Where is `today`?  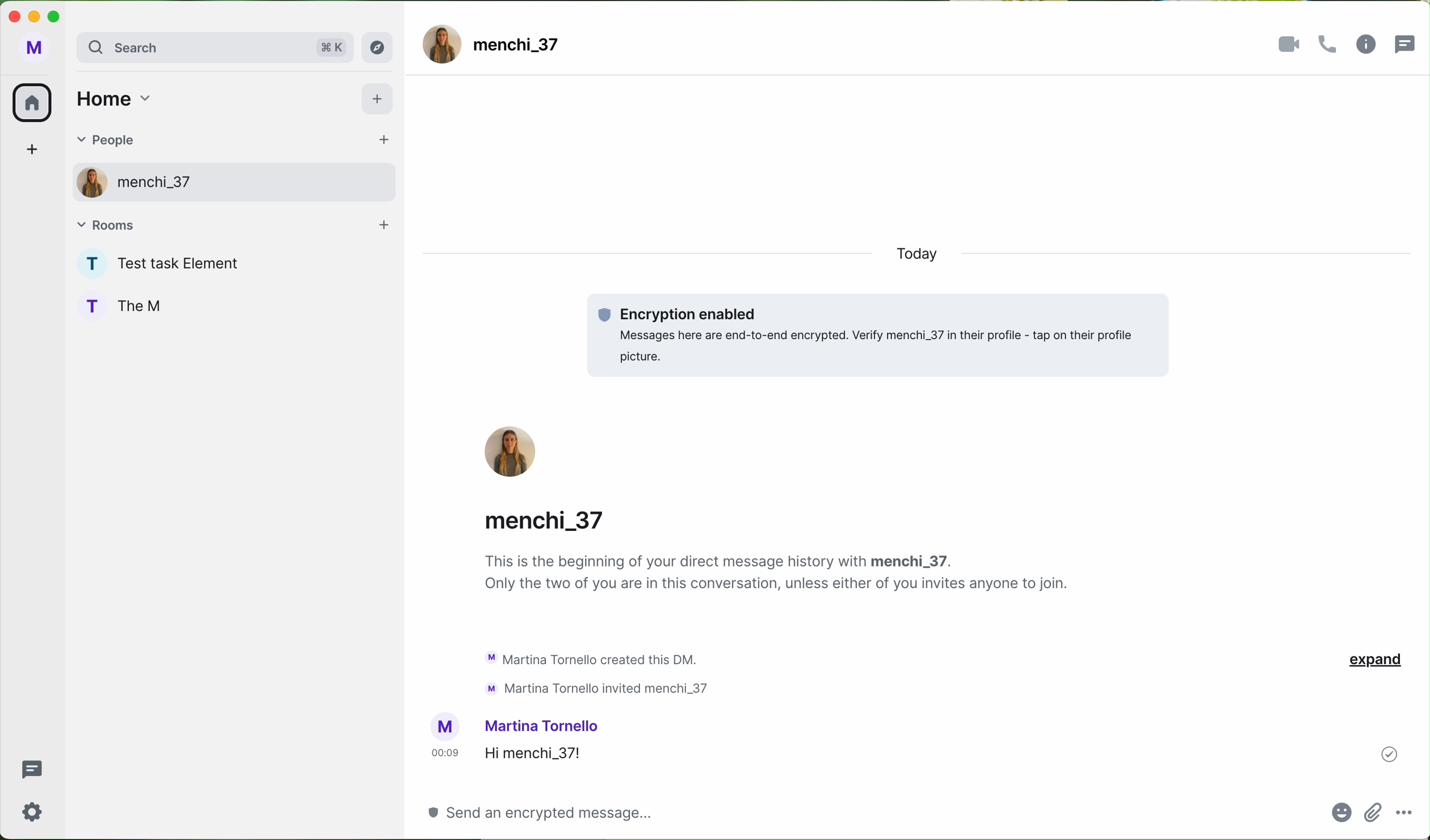
today is located at coordinates (928, 256).